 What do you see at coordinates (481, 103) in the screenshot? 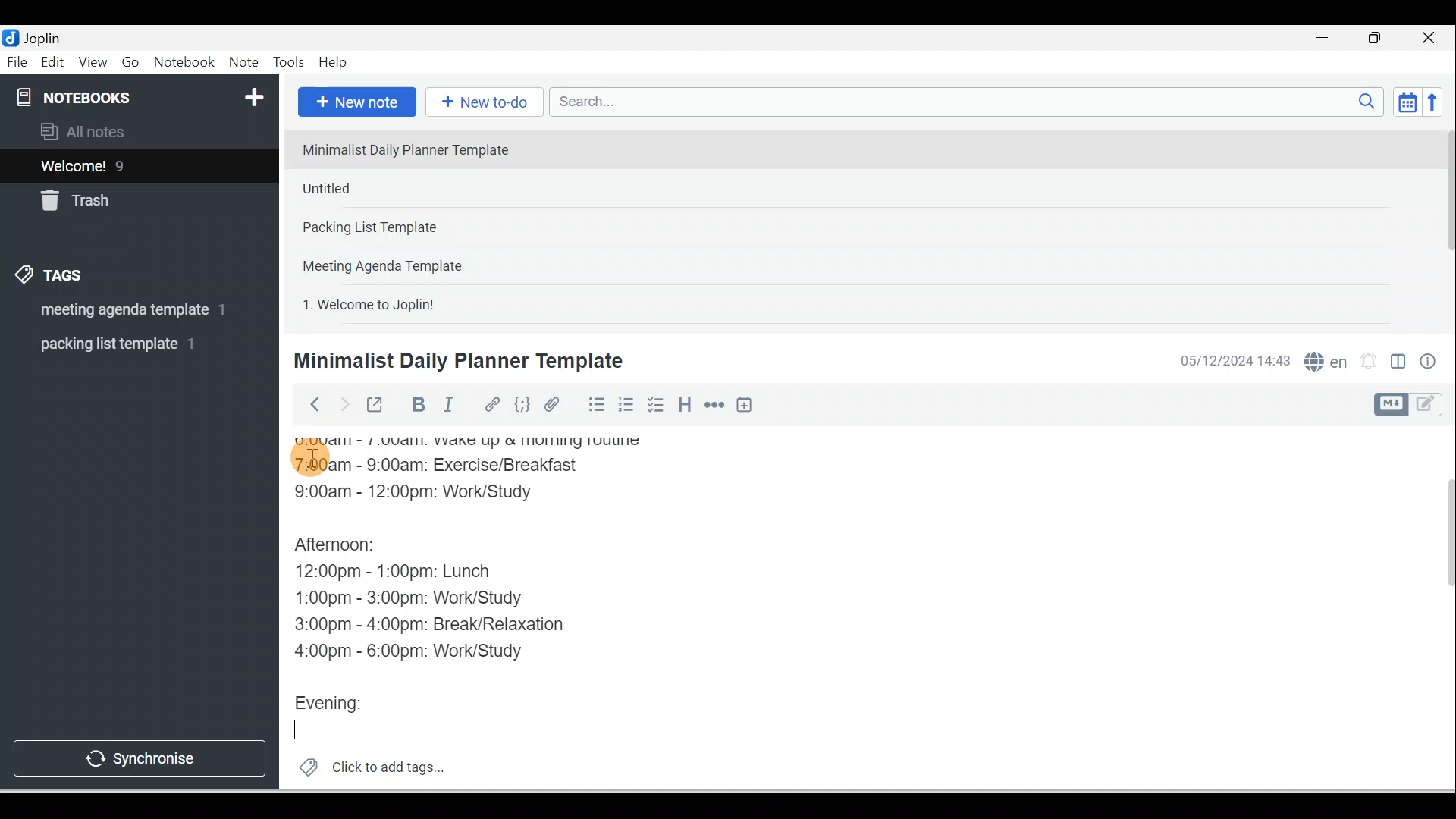
I see `New to-do` at bounding box center [481, 103].